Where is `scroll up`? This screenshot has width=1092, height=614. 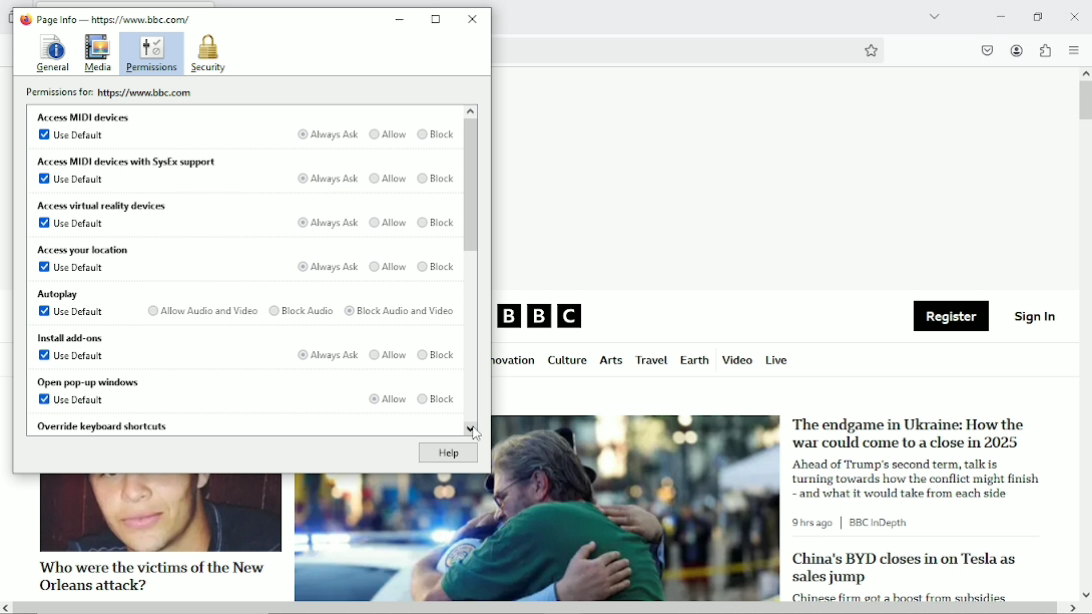 scroll up is located at coordinates (470, 111).